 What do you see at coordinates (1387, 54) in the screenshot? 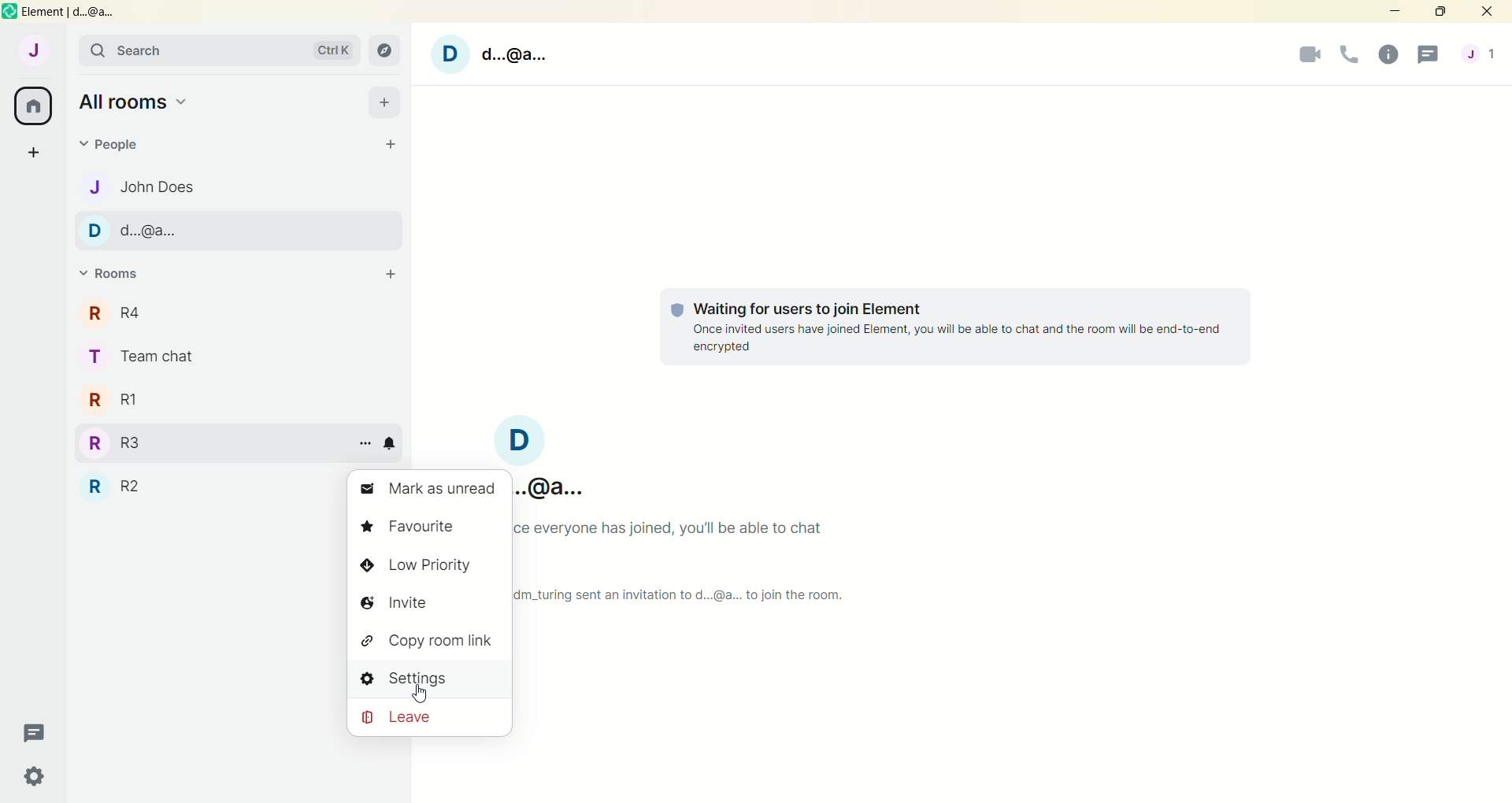
I see `room info` at bounding box center [1387, 54].